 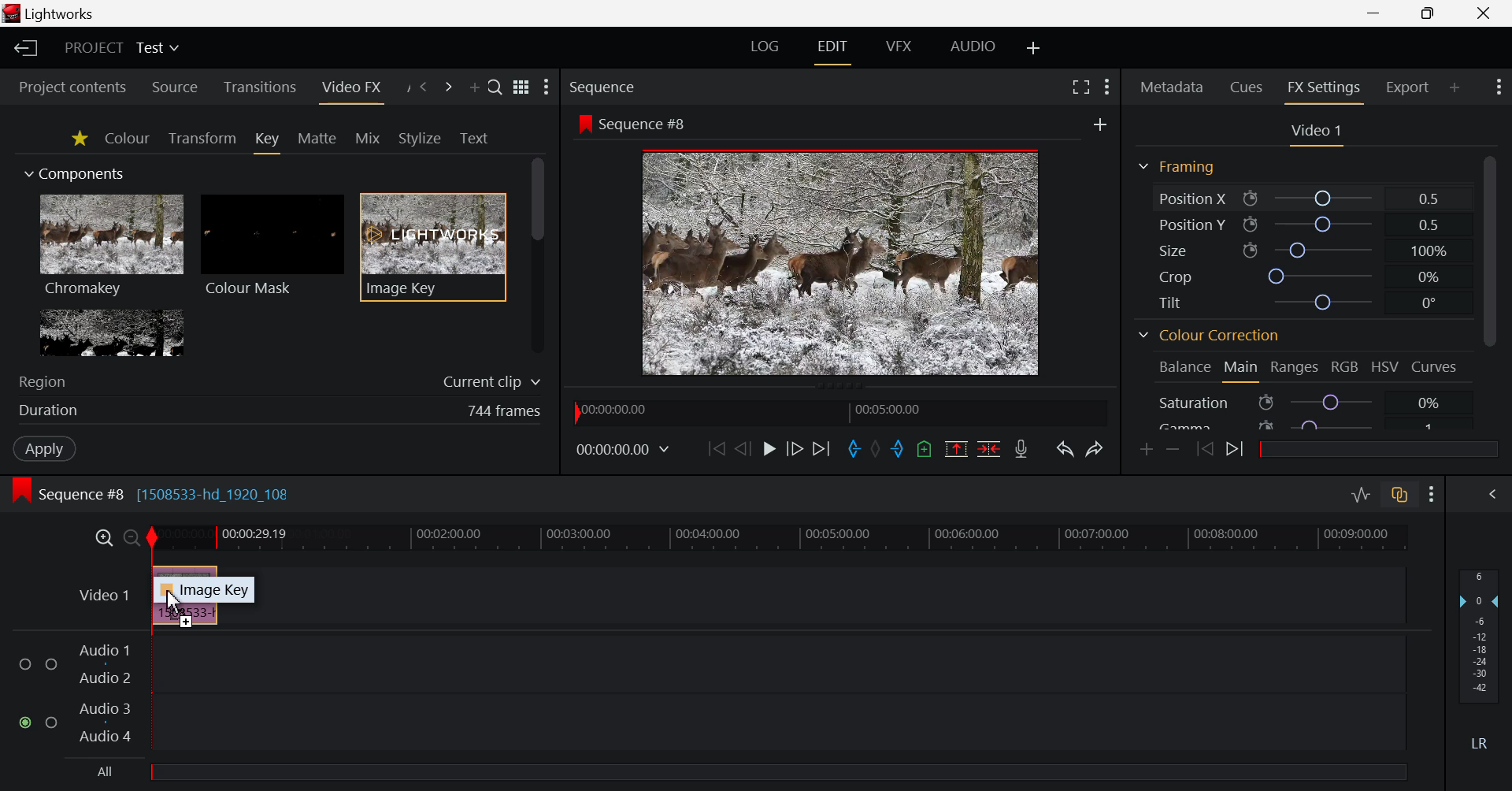 What do you see at coordinates (1167, 303) in the screenshot?
I see `Tilt` at bounding box center [1167, 303].